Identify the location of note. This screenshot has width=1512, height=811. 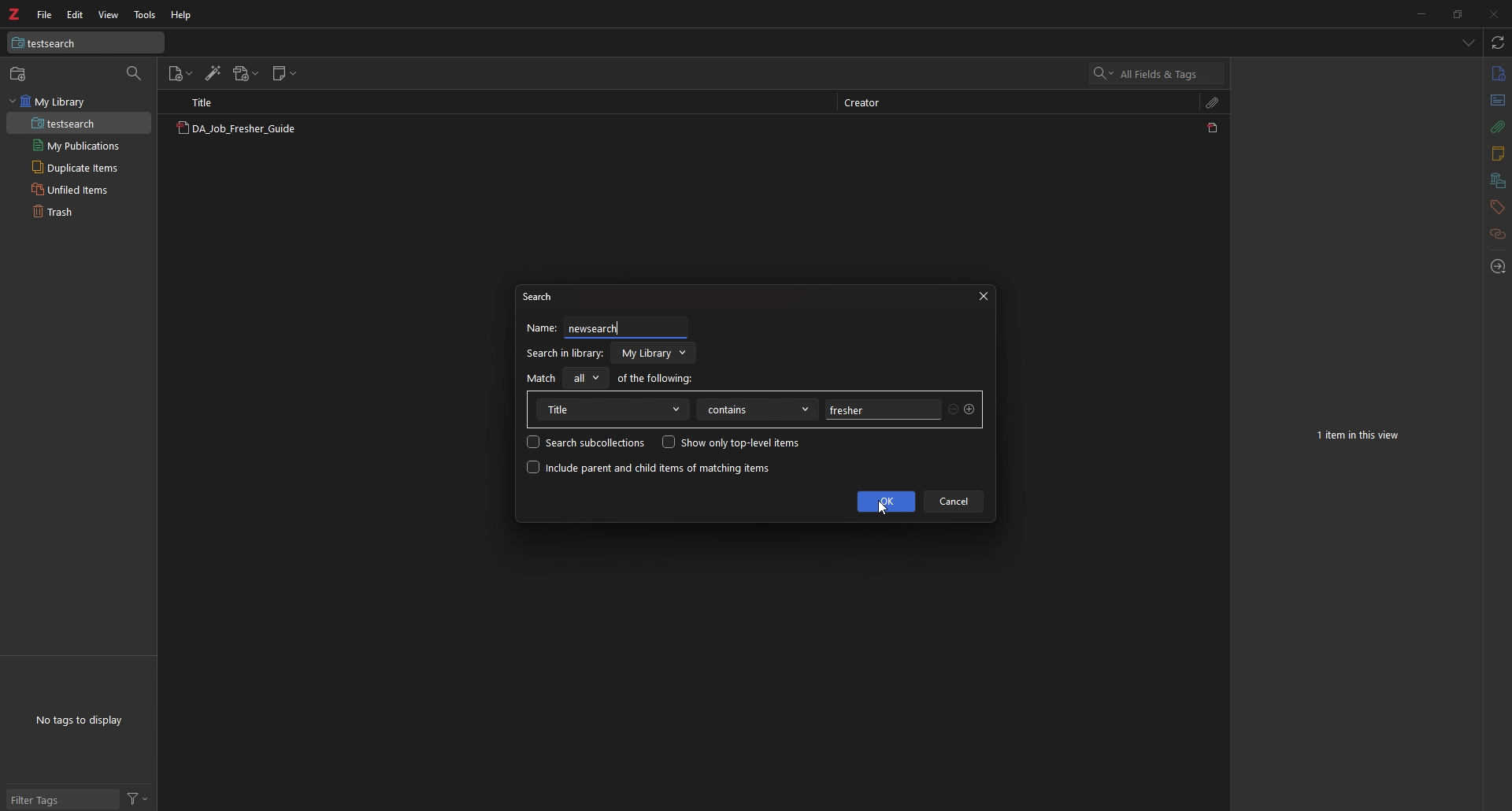
(1496, 154).